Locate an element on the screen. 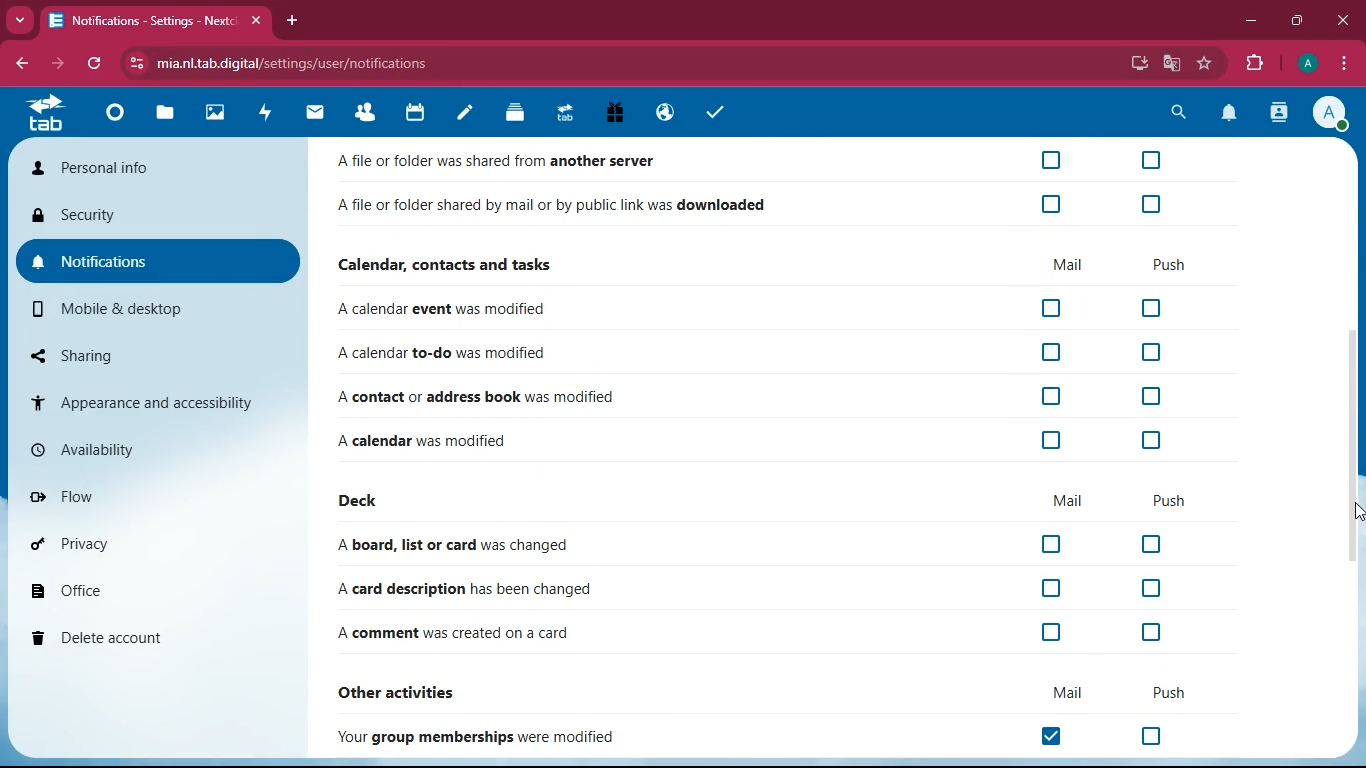 The width and height of the screenshot is (1366, 768). off is located at coordinates (1052, 309).